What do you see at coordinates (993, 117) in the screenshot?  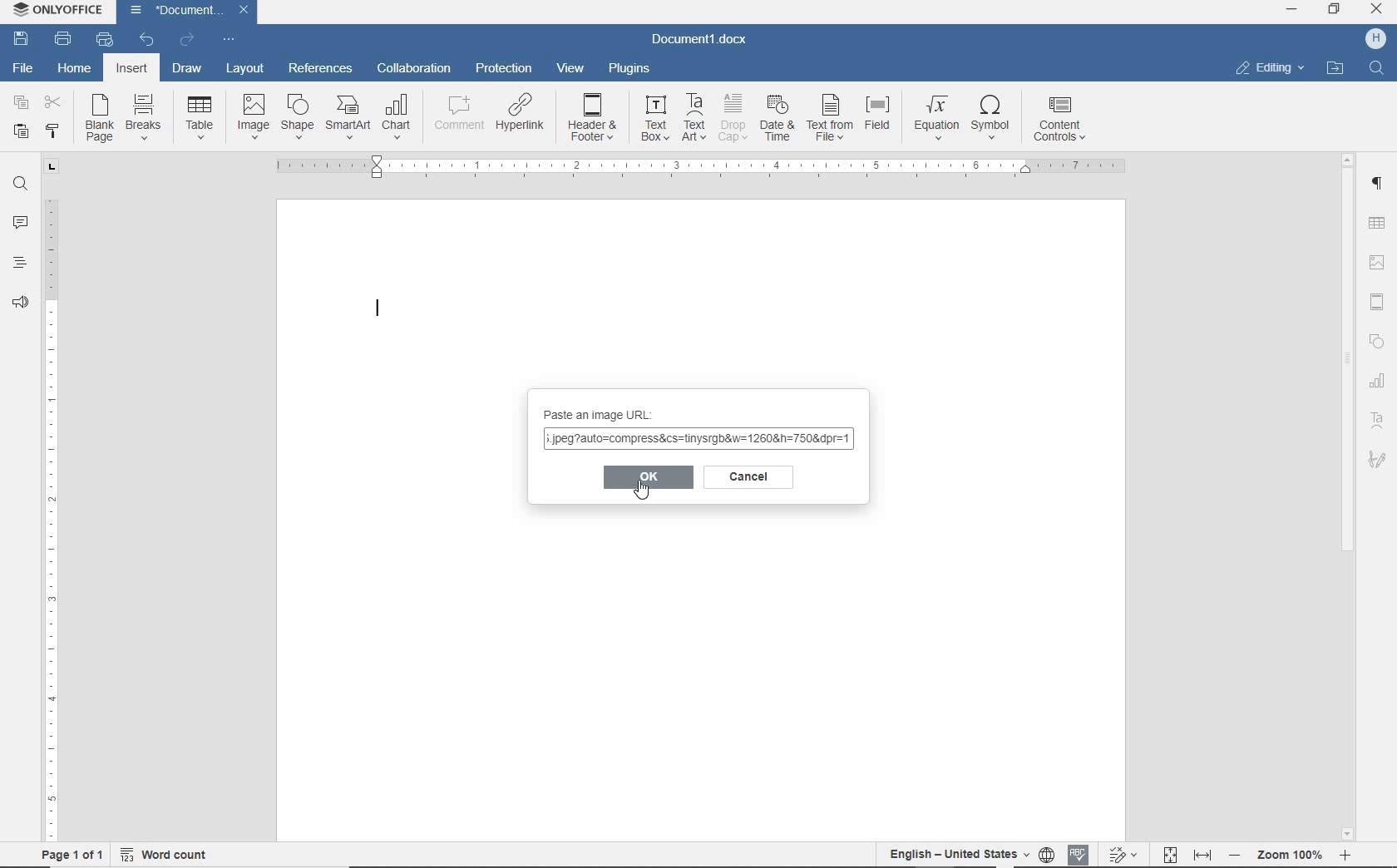 I see `symbol` at bounding box center [993, 117].